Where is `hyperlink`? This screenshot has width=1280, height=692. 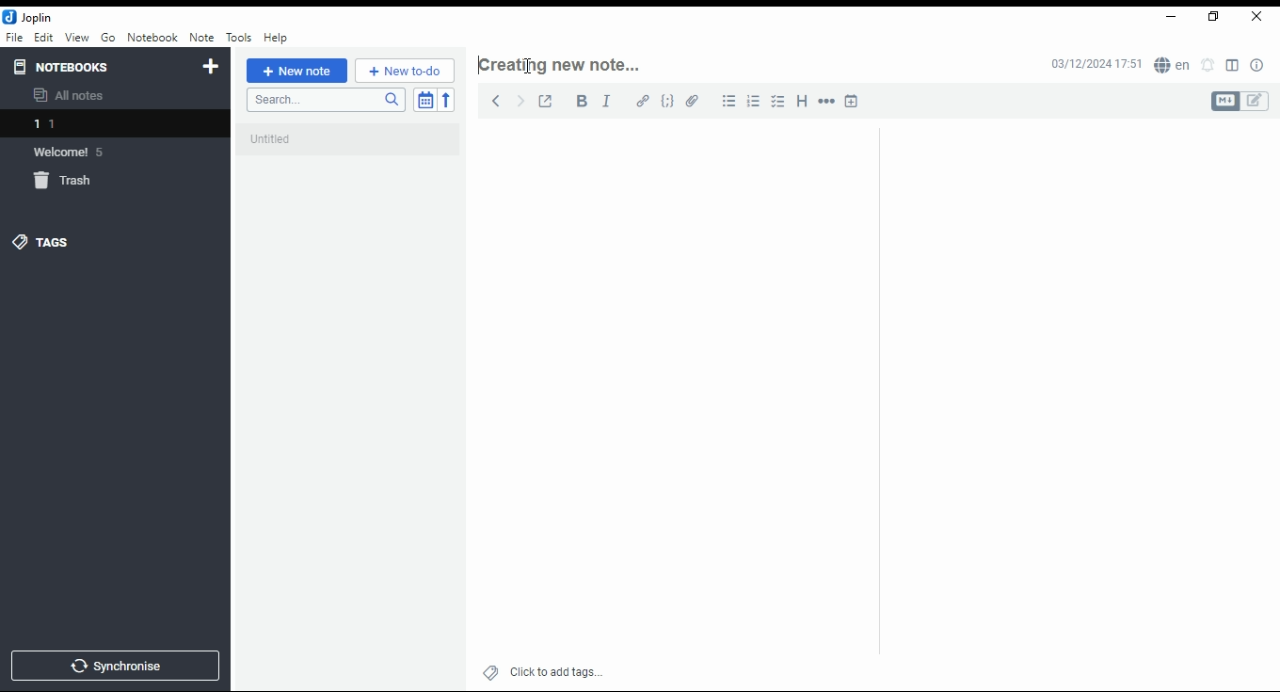
hyperlink is located at coordinates (643, 102).